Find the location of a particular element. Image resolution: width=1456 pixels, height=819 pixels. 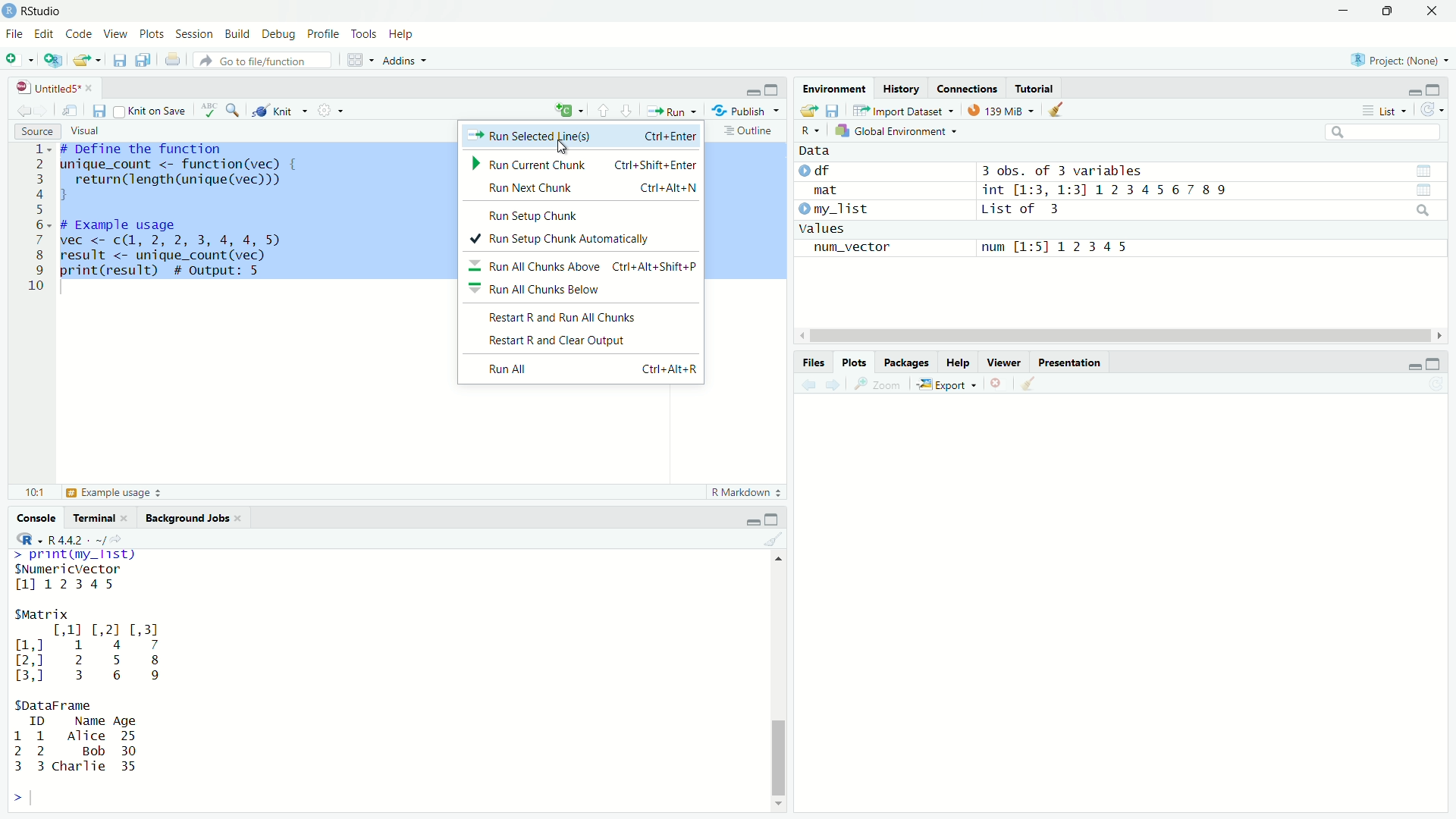

untitled5 is located at coordinates (51, 86).